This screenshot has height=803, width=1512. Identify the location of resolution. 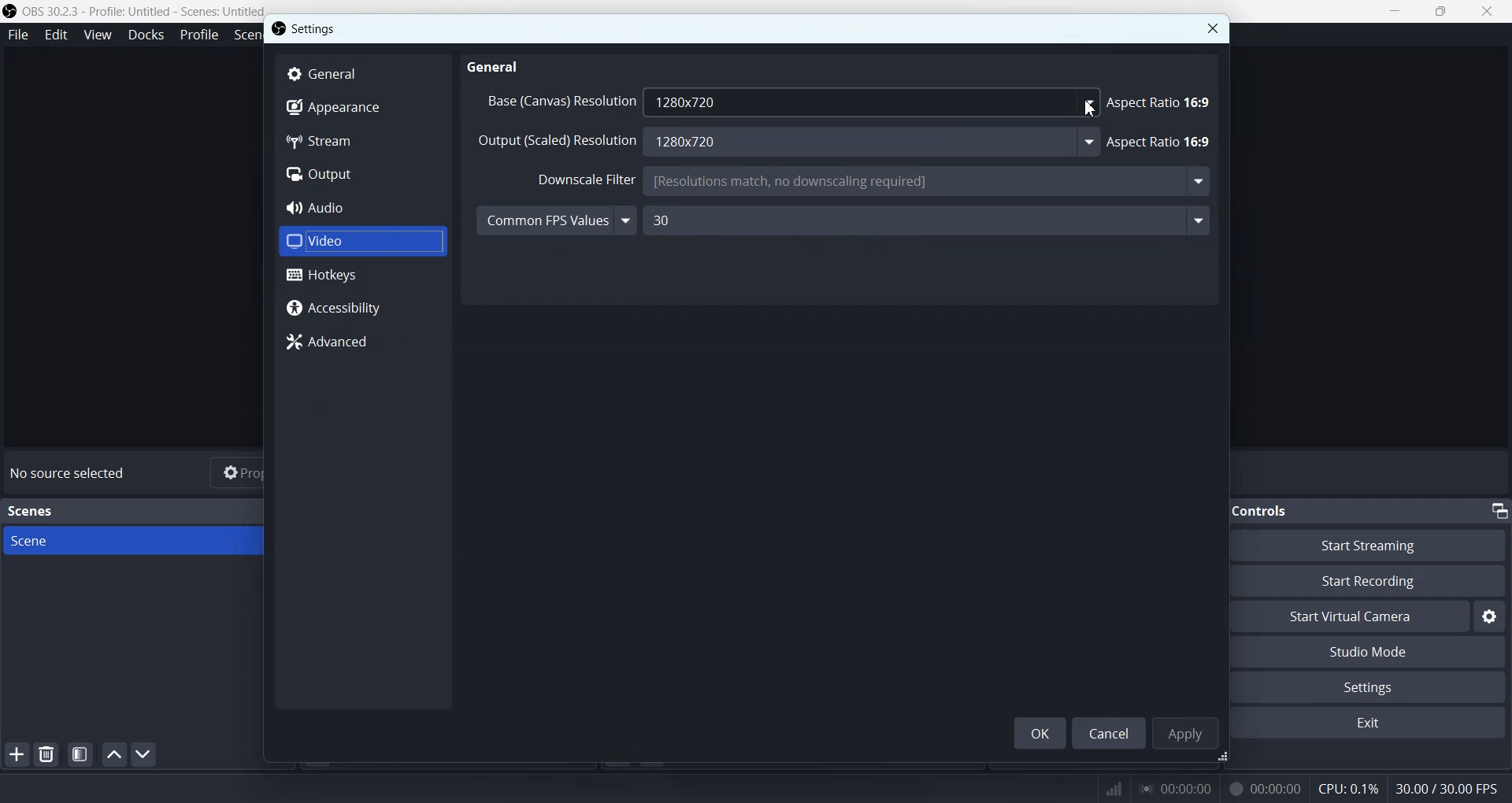
(552, 141).